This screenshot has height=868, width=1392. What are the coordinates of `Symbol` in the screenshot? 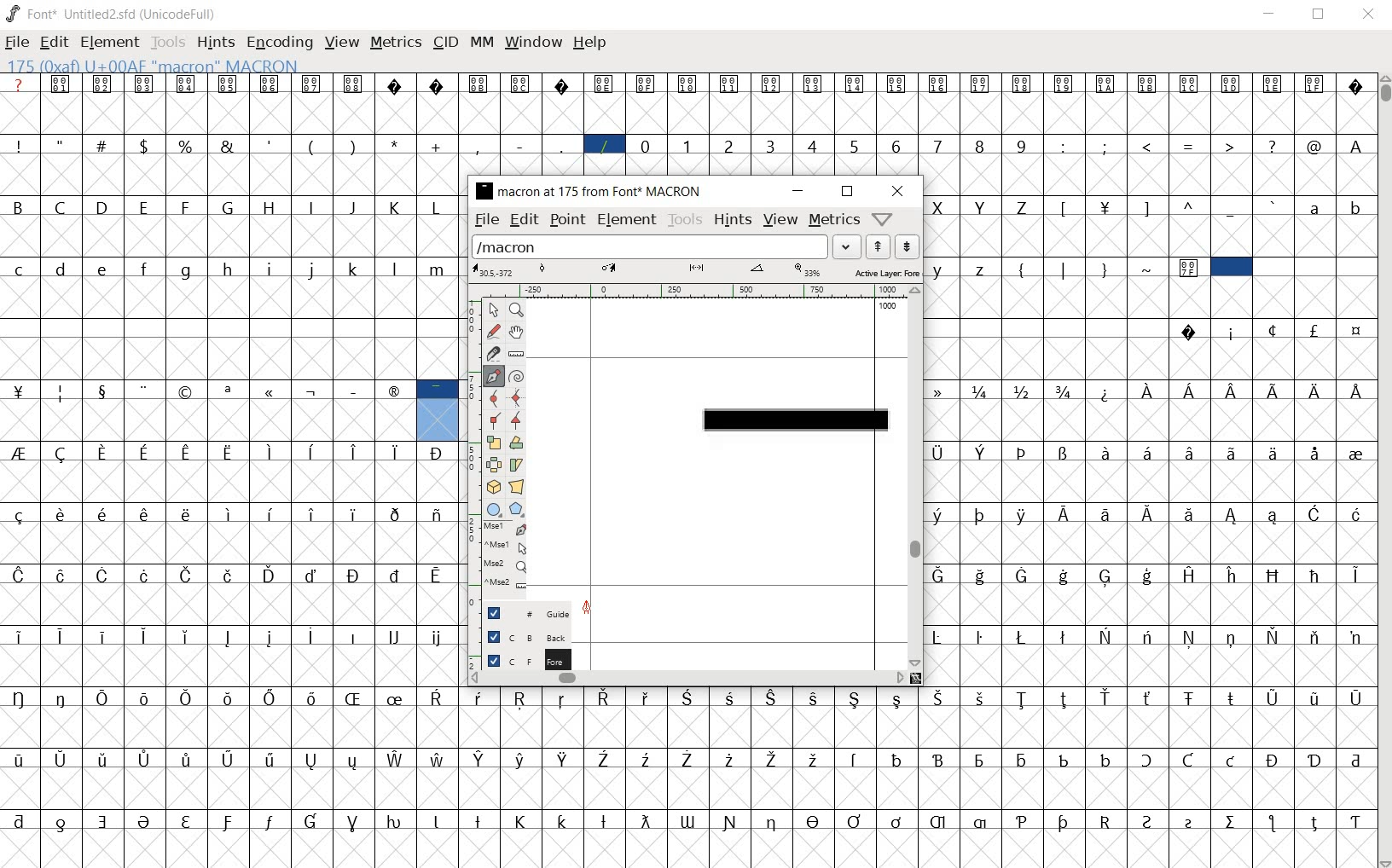 It's located at (1066, 391).